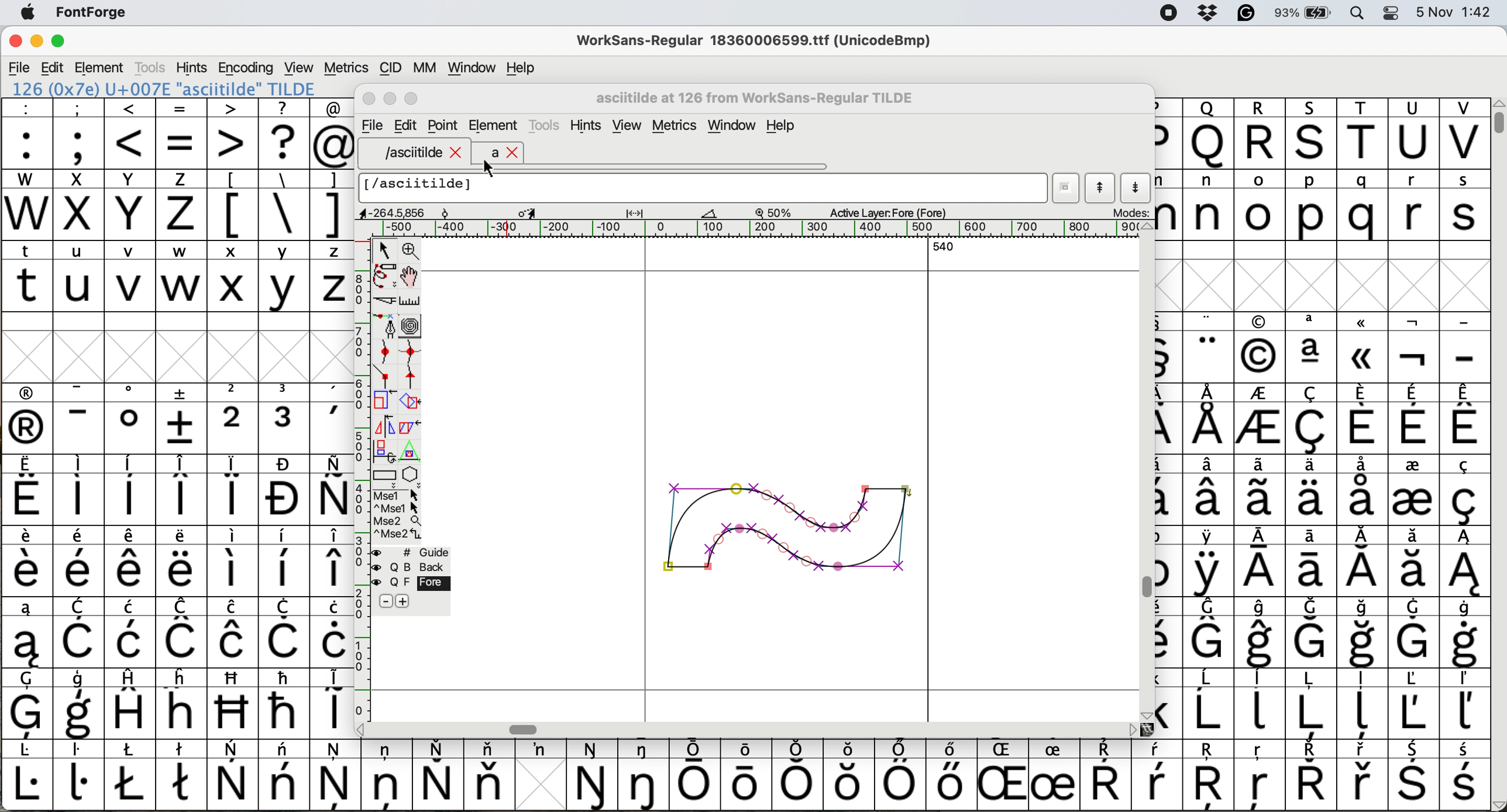 The width and height of the screenshot is (1507, 812). What do you see at coordinates (386, 602) in the screenshot?
I see `remove` at bounding box center [386, 602].